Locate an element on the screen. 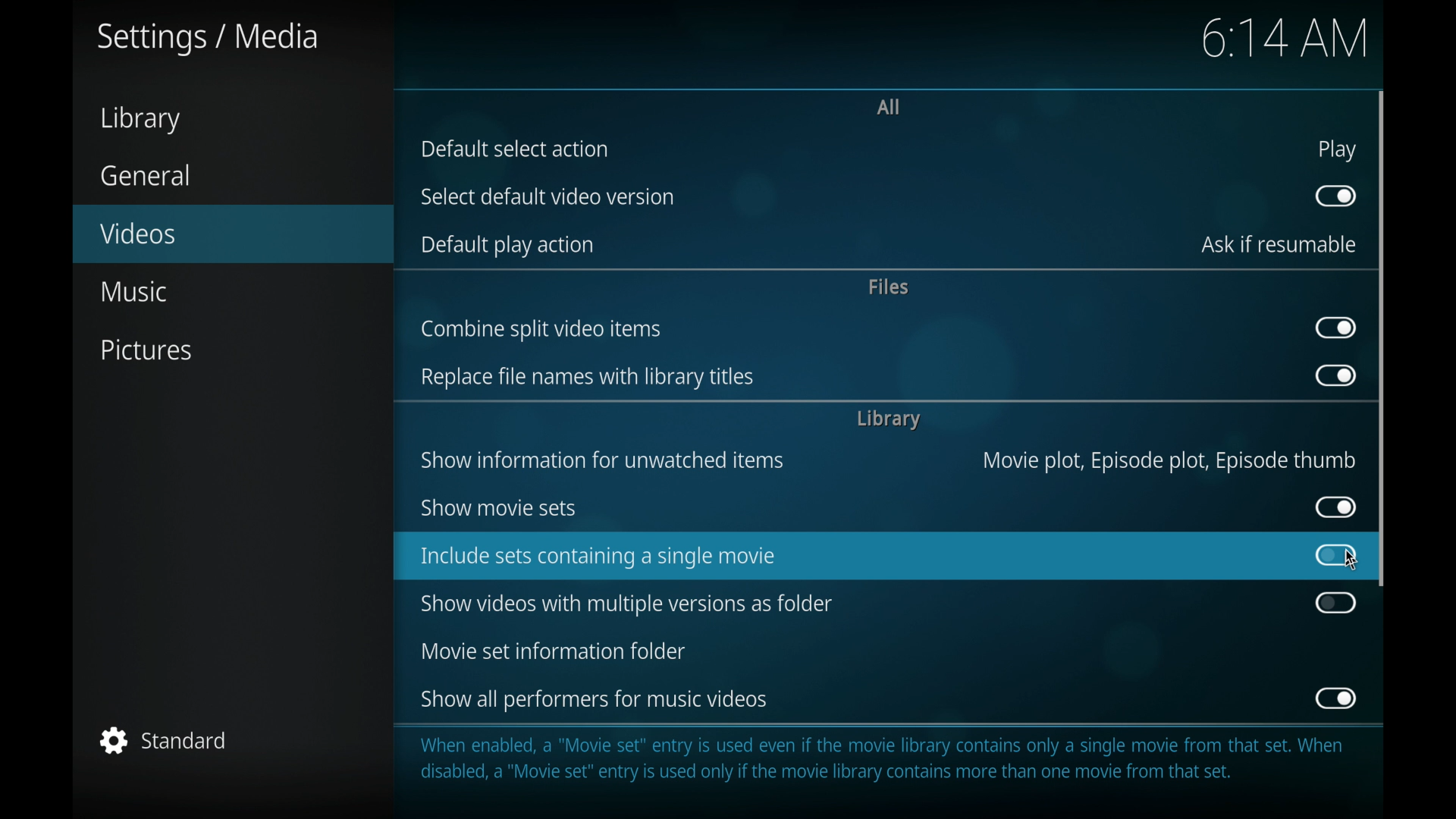 This screenshot has height=819, width=1456. include sets is located at coordinates (595, 557).